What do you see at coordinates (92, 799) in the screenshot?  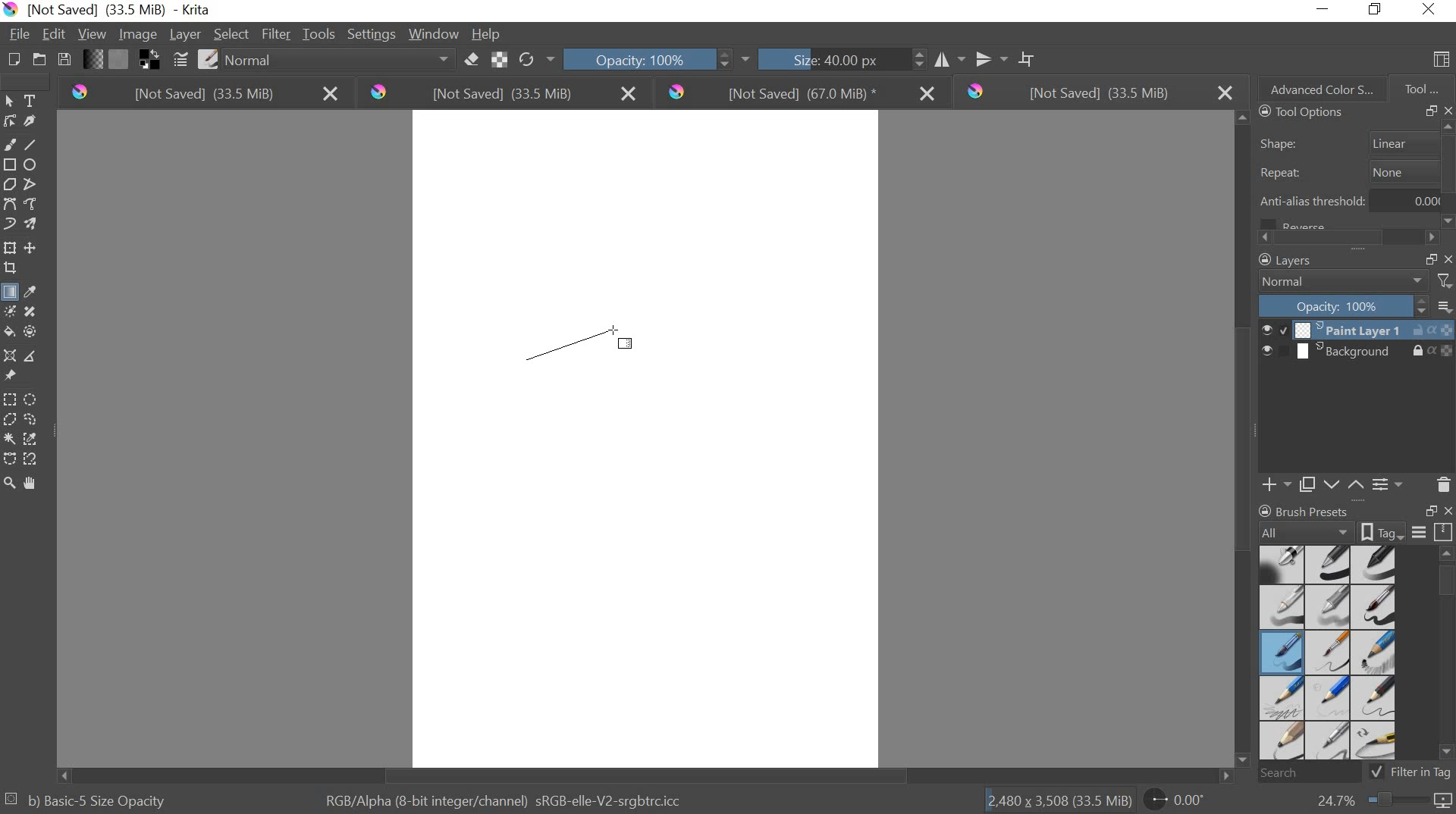 I see `b) basic 5 size opacity` at bounding box center [92, 799].